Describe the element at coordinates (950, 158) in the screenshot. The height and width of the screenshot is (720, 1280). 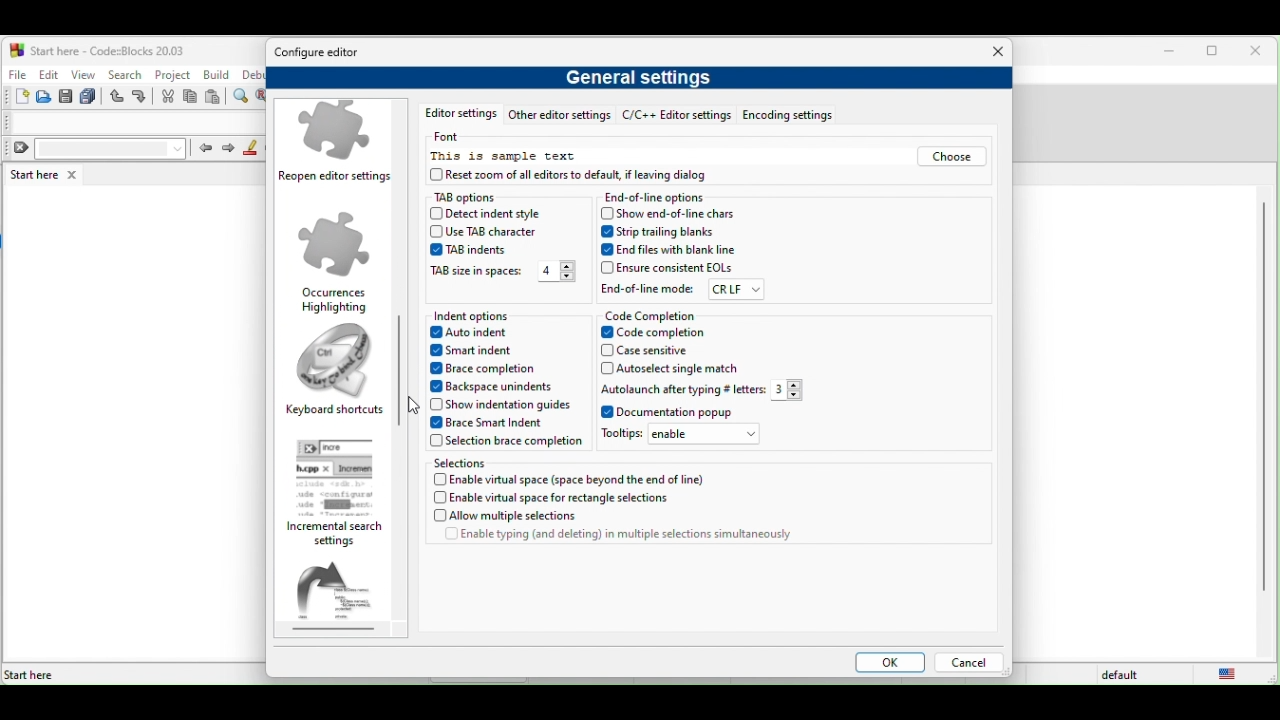
I see `choose` at that location.